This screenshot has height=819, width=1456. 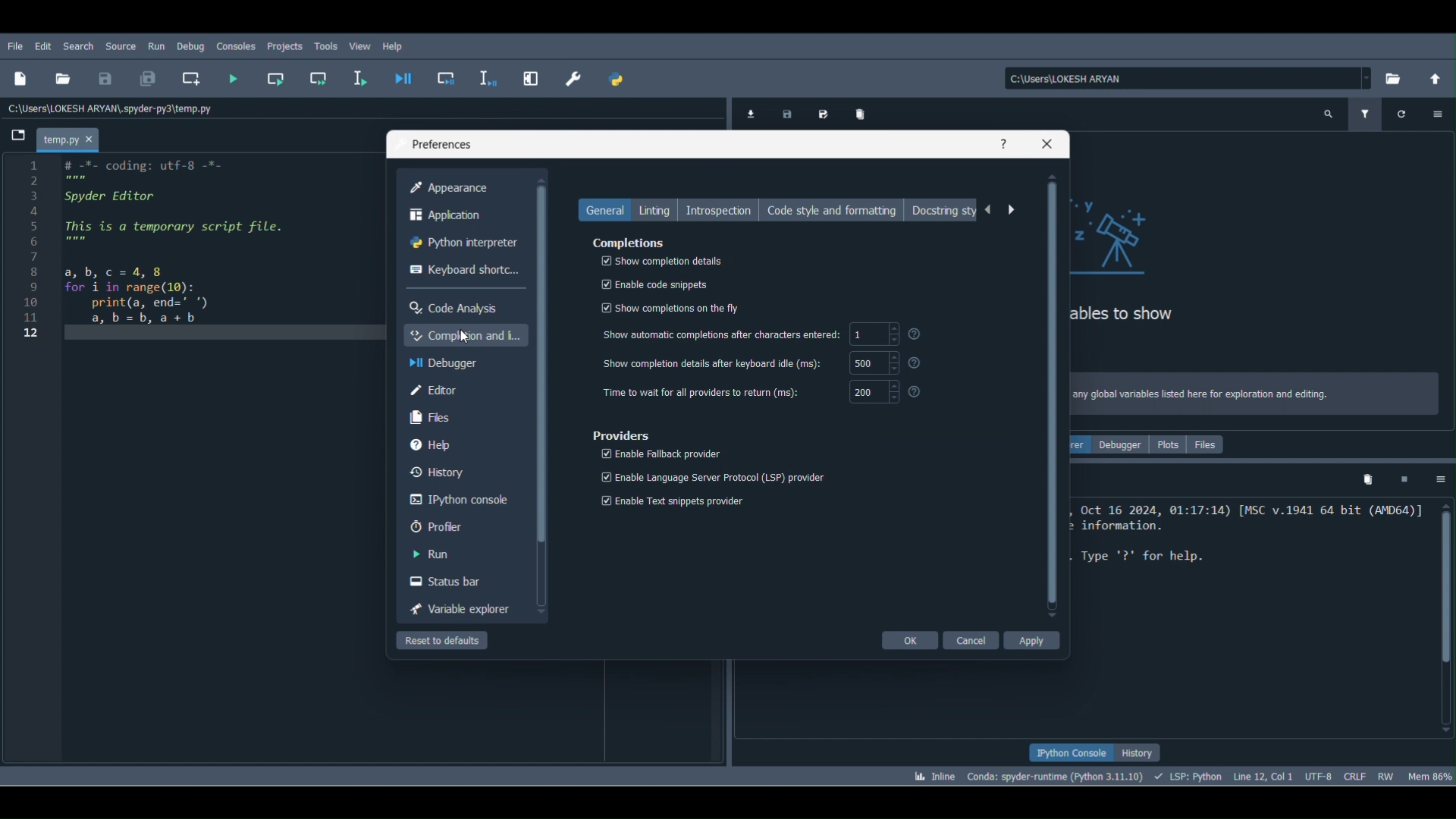 I want to click on Debugger, so click(x=453, y=364).